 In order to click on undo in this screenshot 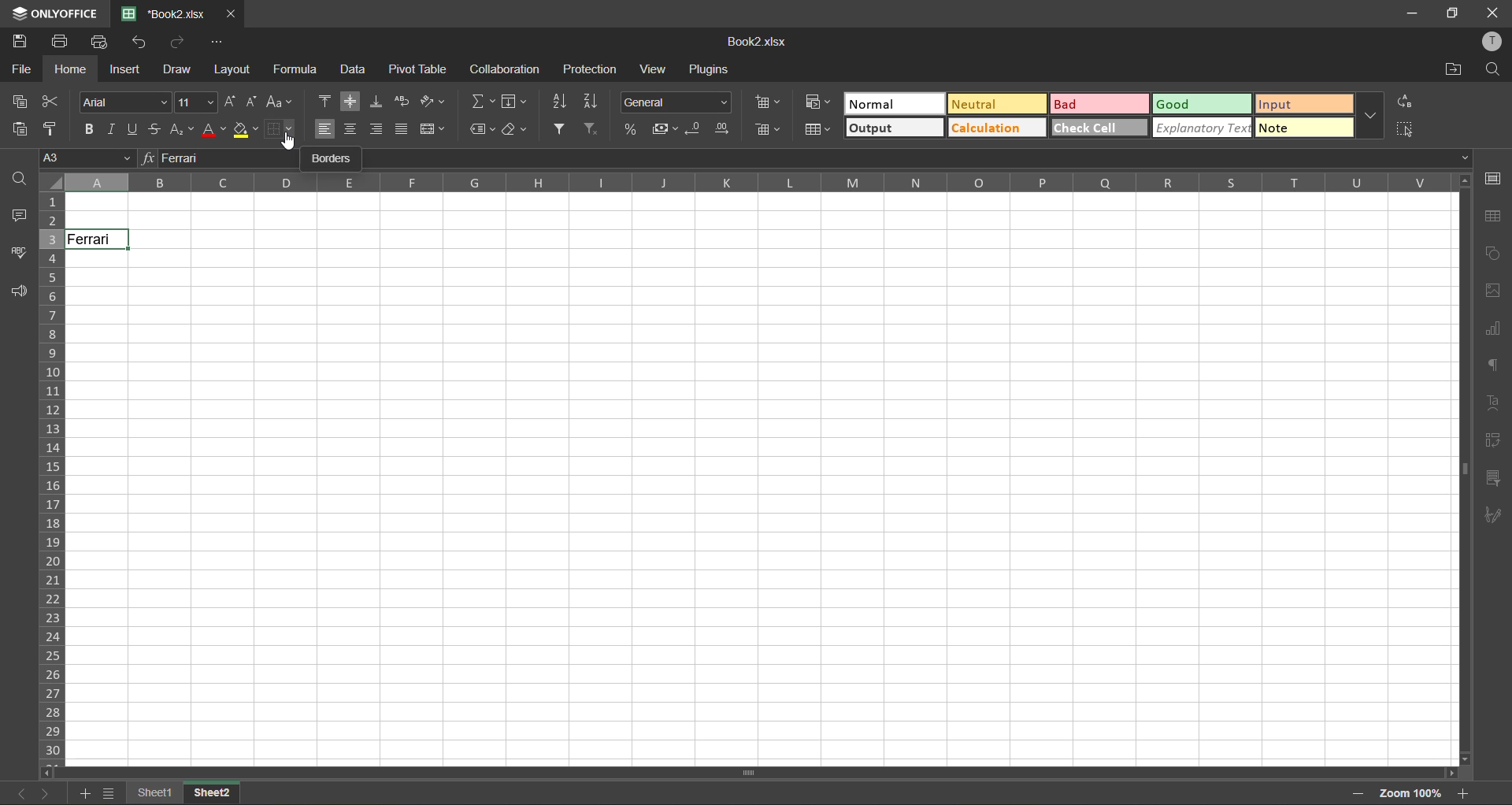, I will do `click(140, 43)`.